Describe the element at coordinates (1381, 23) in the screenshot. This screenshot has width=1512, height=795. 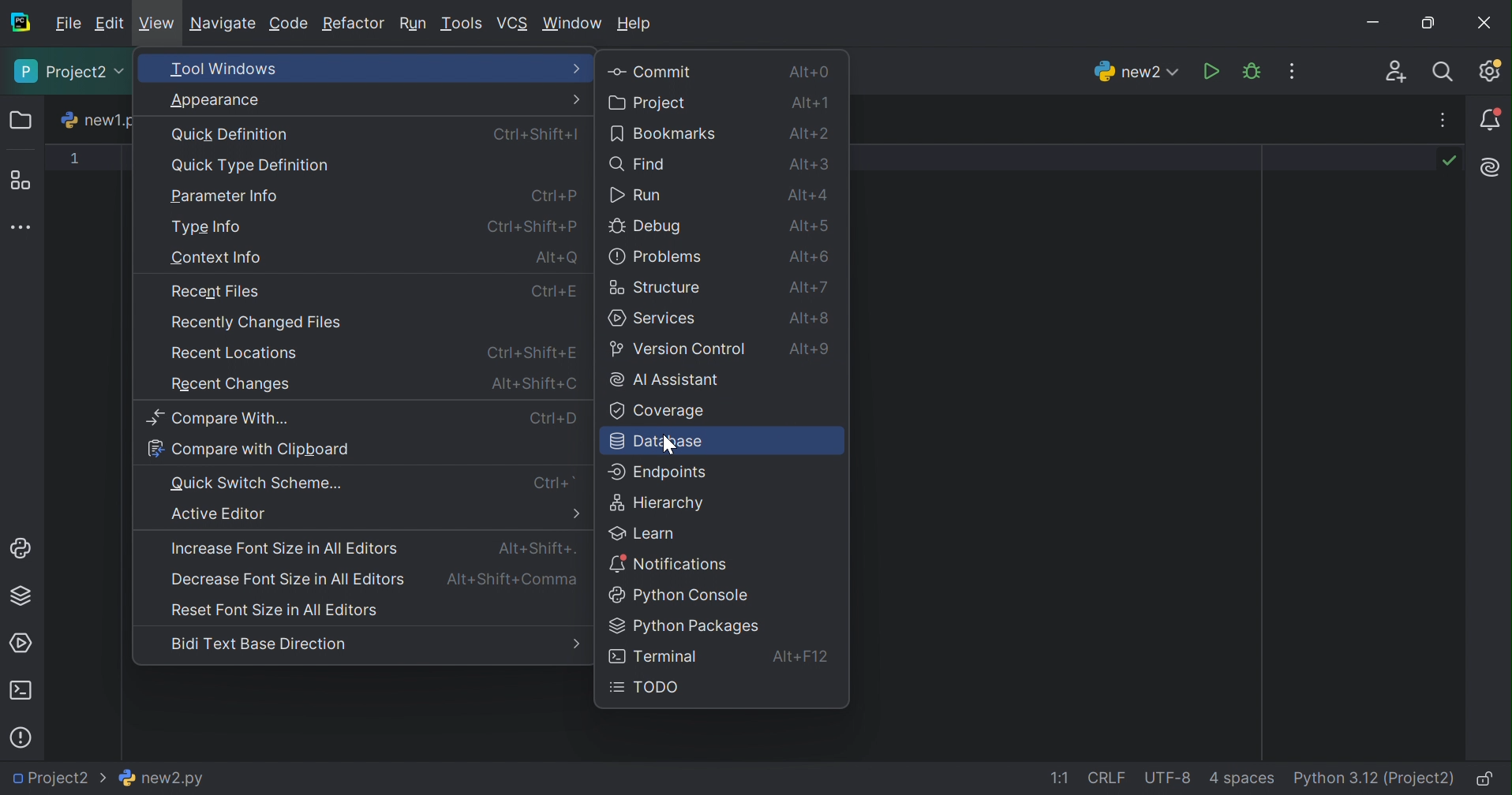
I see `Minimize` at that location.